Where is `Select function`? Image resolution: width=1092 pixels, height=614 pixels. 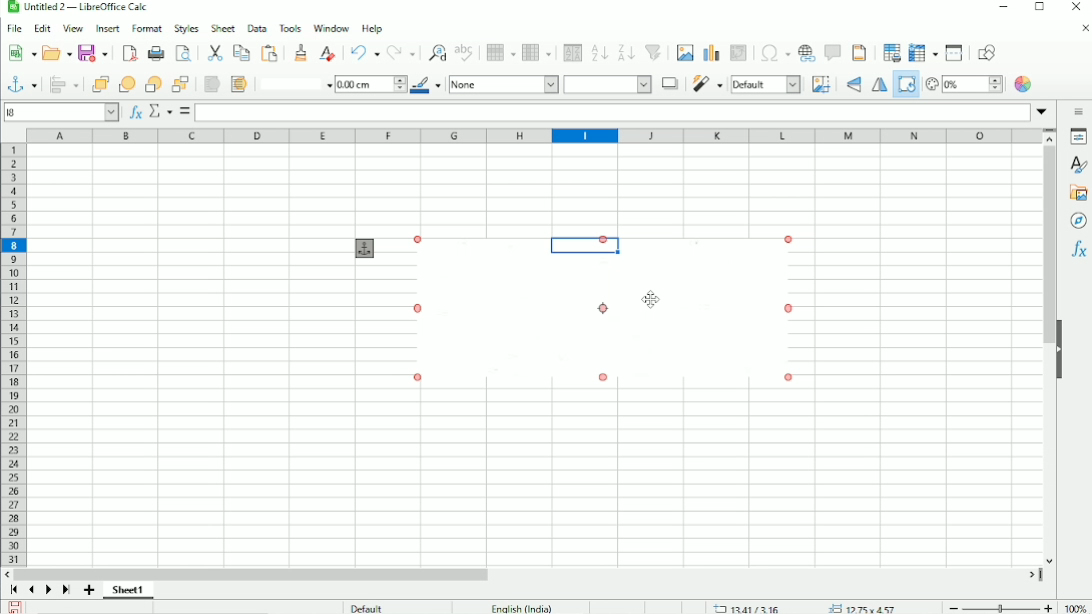 Select function is located at coordinates (159, 111).